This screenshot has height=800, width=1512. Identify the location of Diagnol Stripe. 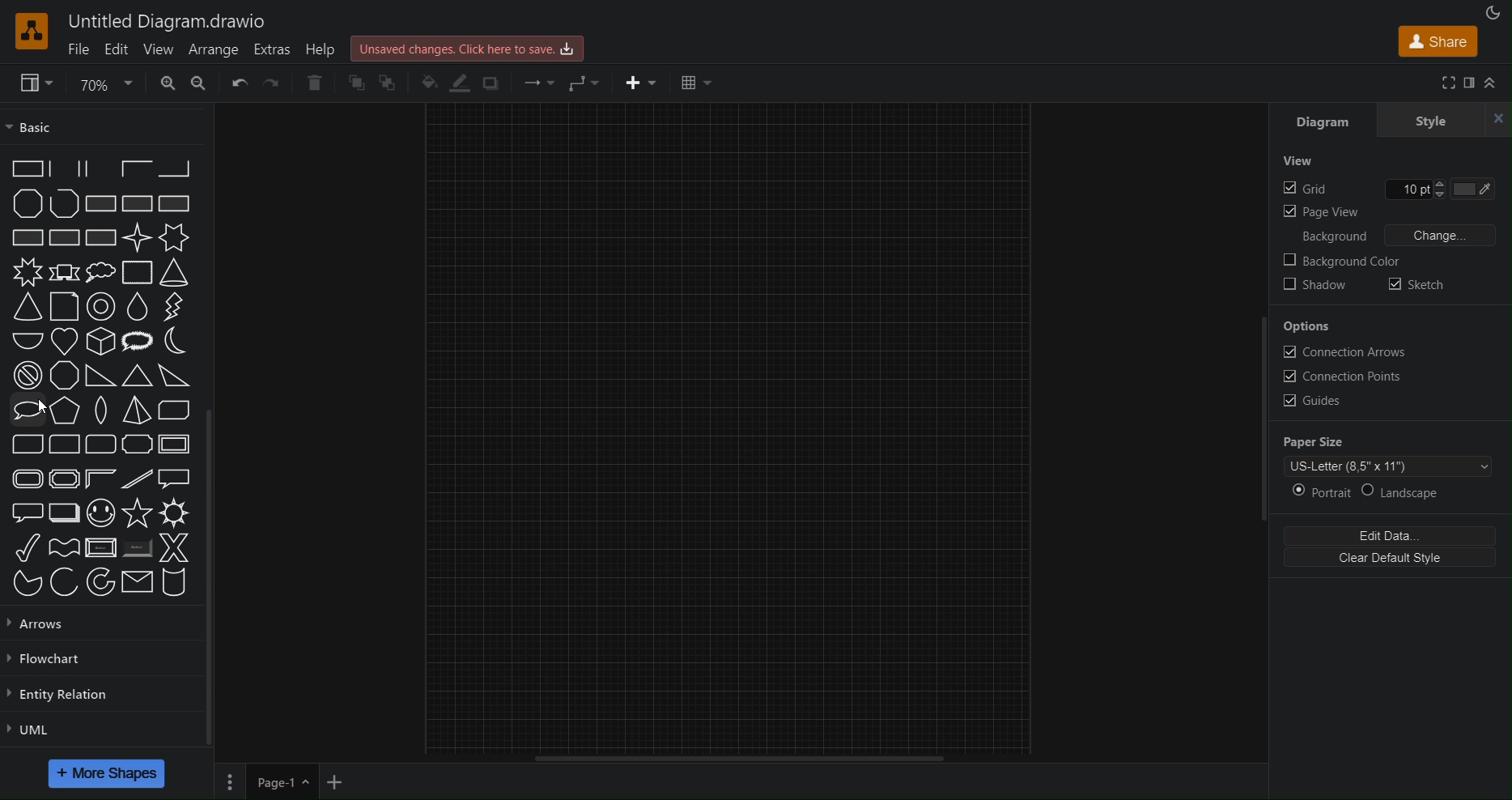
(137, 479).